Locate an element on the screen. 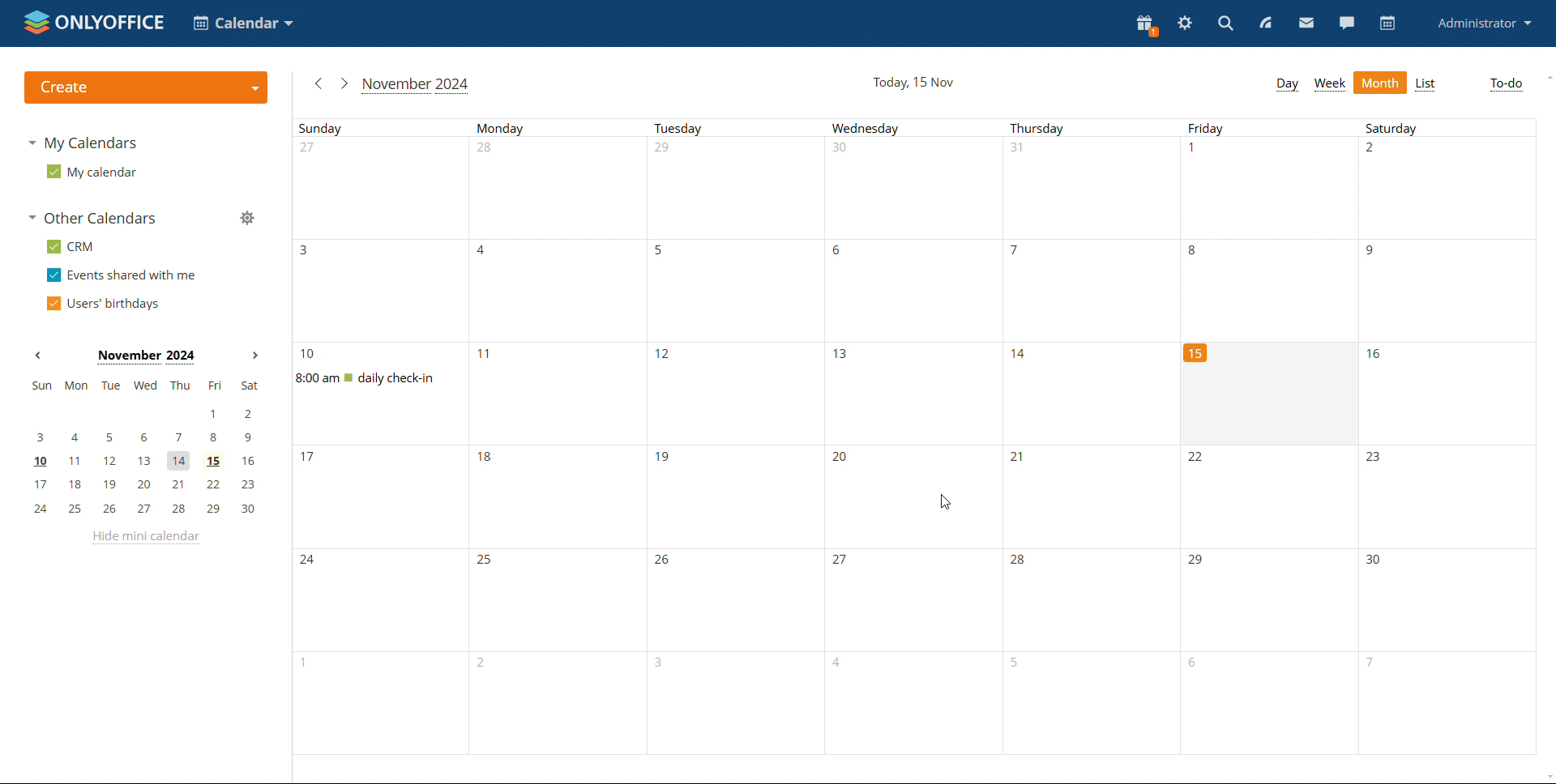 The width and height of the screenshot is (1556, 784). 1, 2 is located at coordinates (151, 414).